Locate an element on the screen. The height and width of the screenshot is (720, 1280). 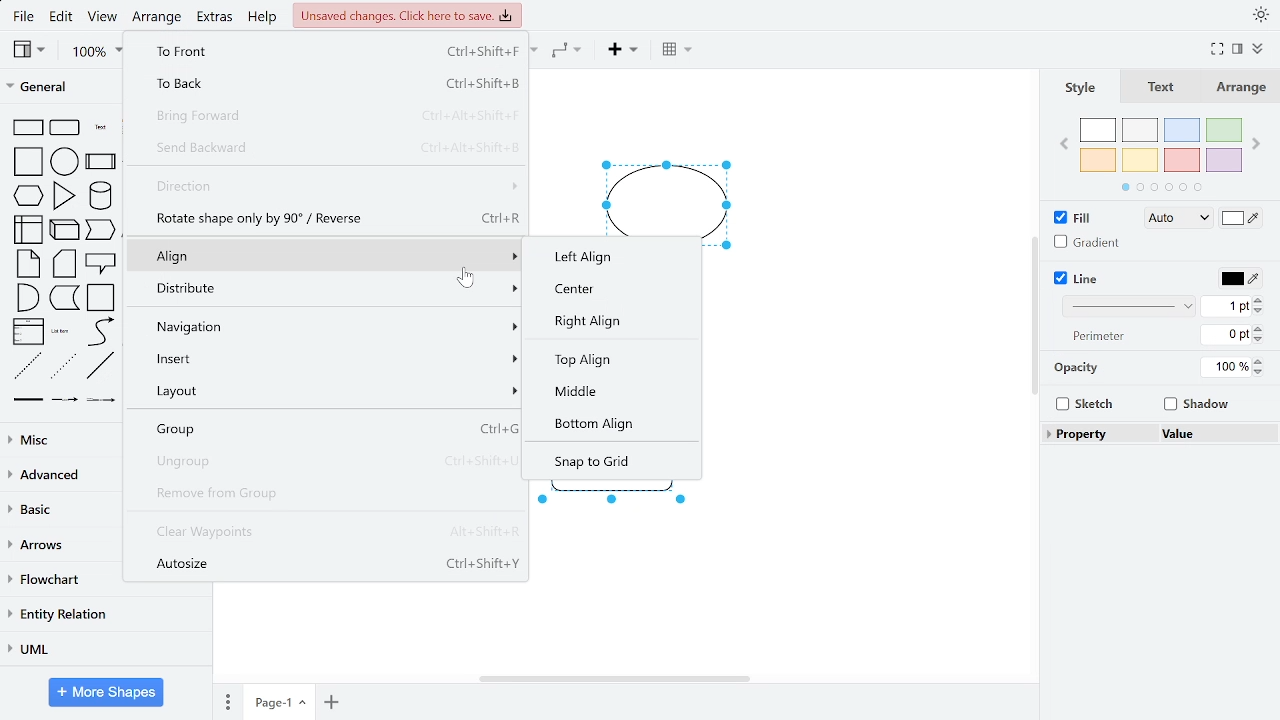
100% is located at coordinates (1223, 367).